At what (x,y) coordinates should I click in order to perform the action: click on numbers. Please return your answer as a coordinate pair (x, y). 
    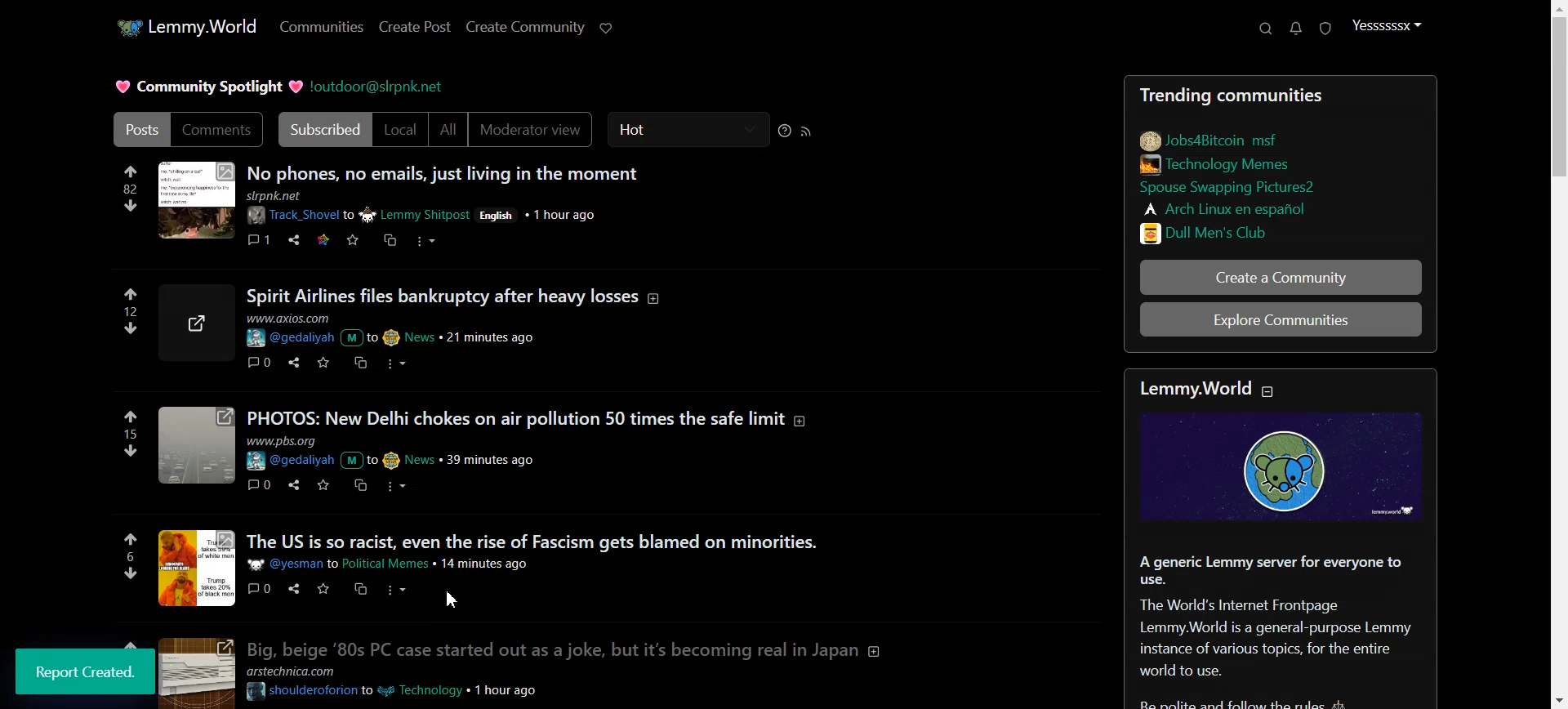
    Looking at the image, I should click on (130, 189).